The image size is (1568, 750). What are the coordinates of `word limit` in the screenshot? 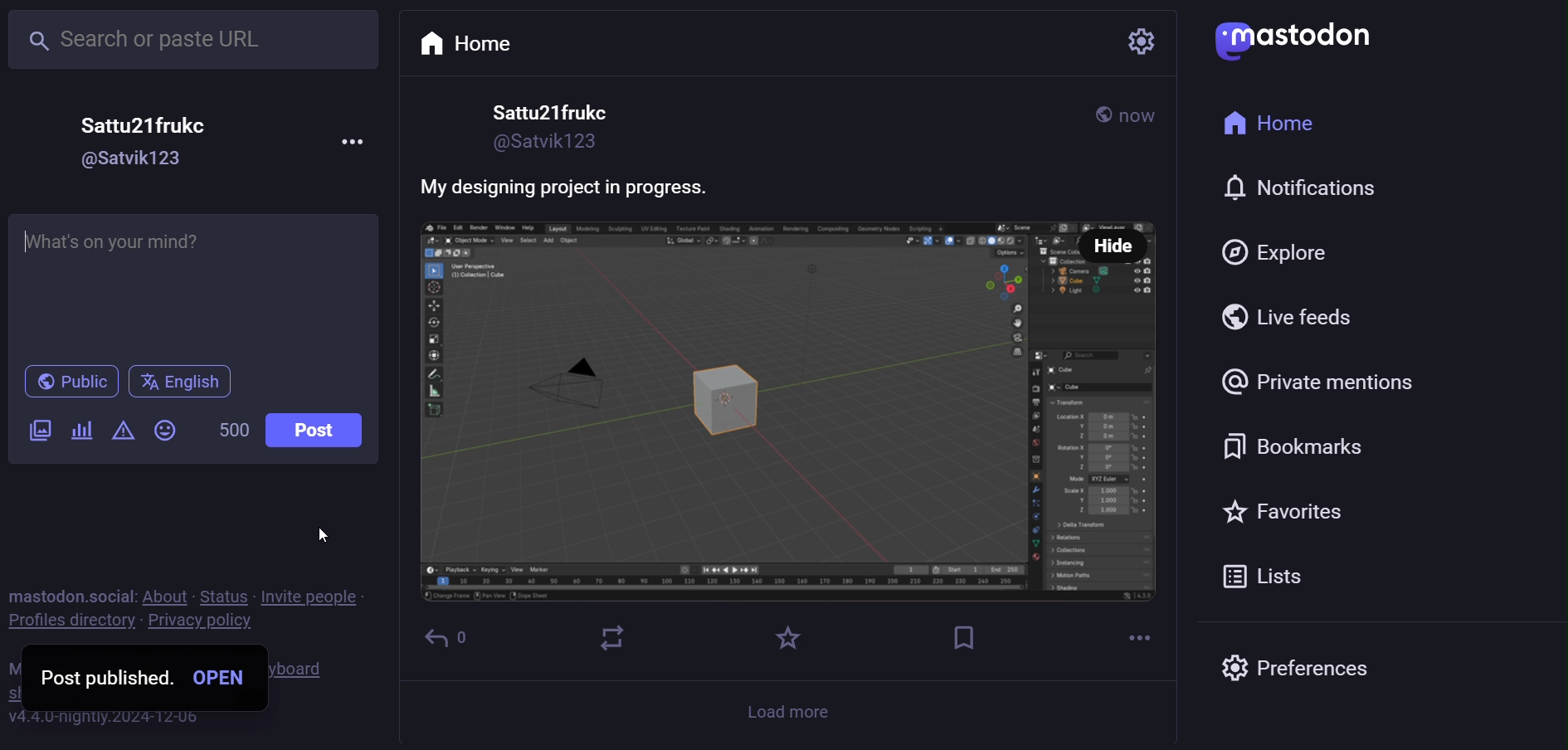 It's located at (233, 433).